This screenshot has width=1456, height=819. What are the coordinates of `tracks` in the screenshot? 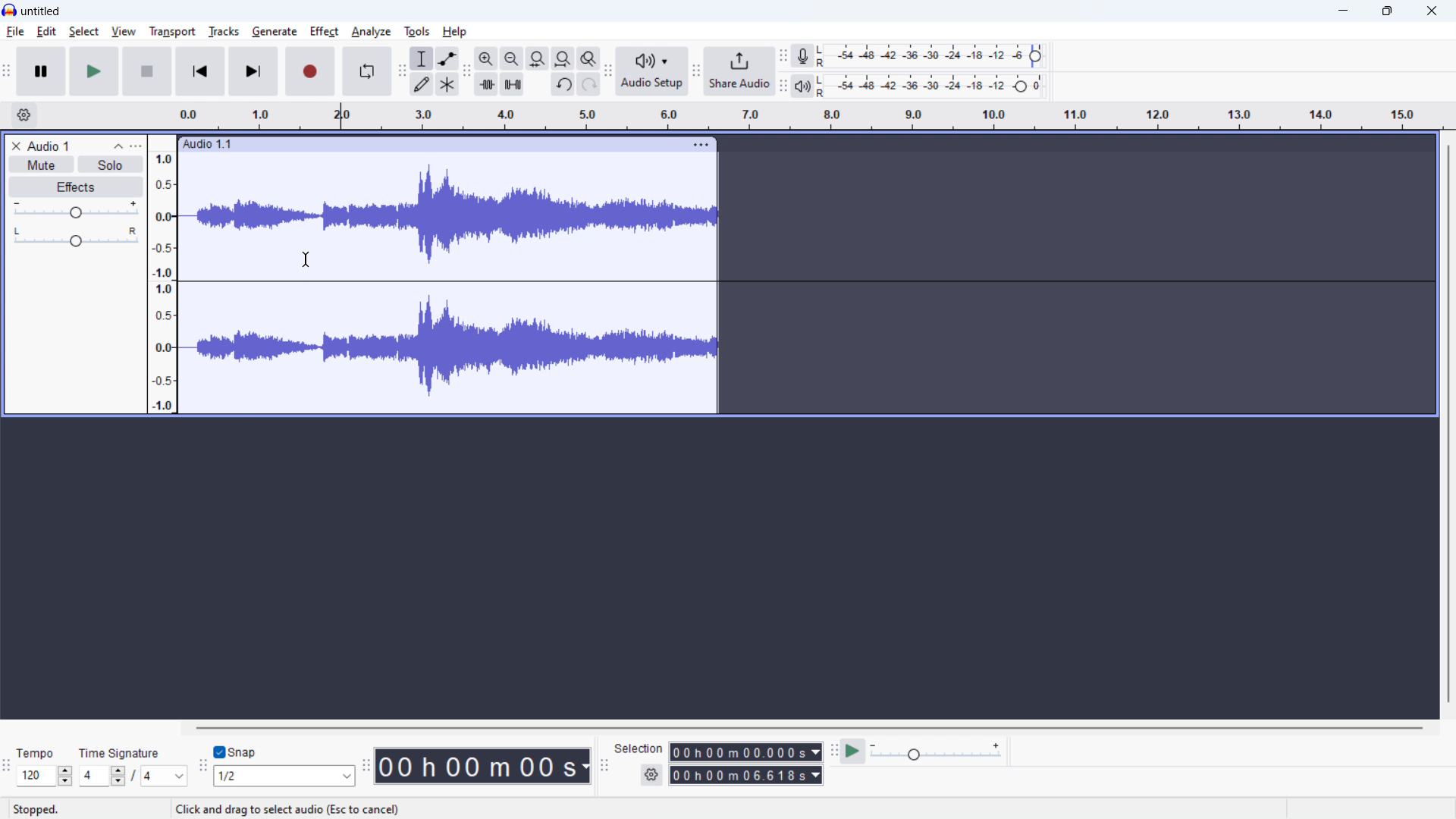 It's located at (224, 30).